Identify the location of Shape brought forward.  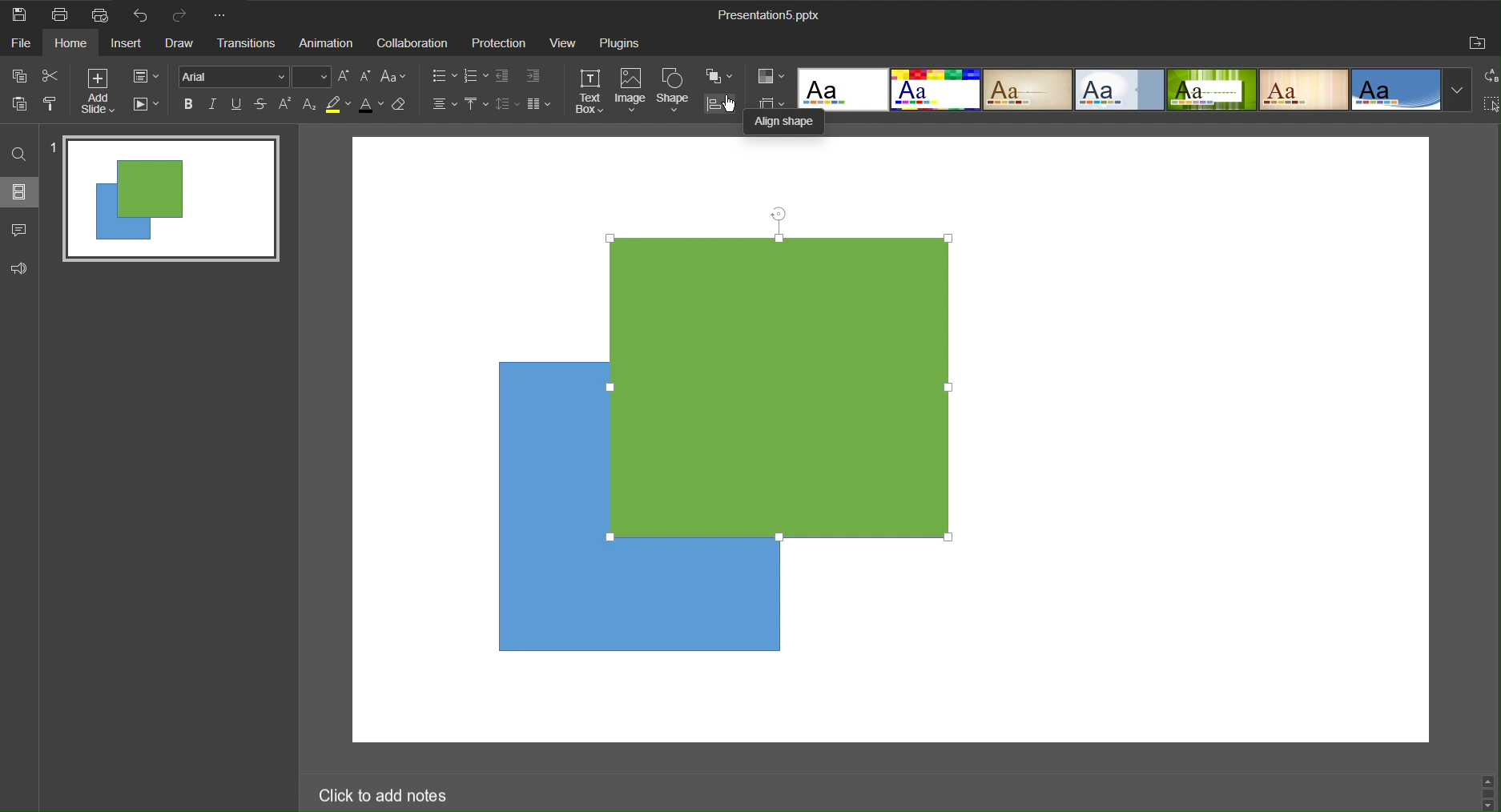
(781, 387).